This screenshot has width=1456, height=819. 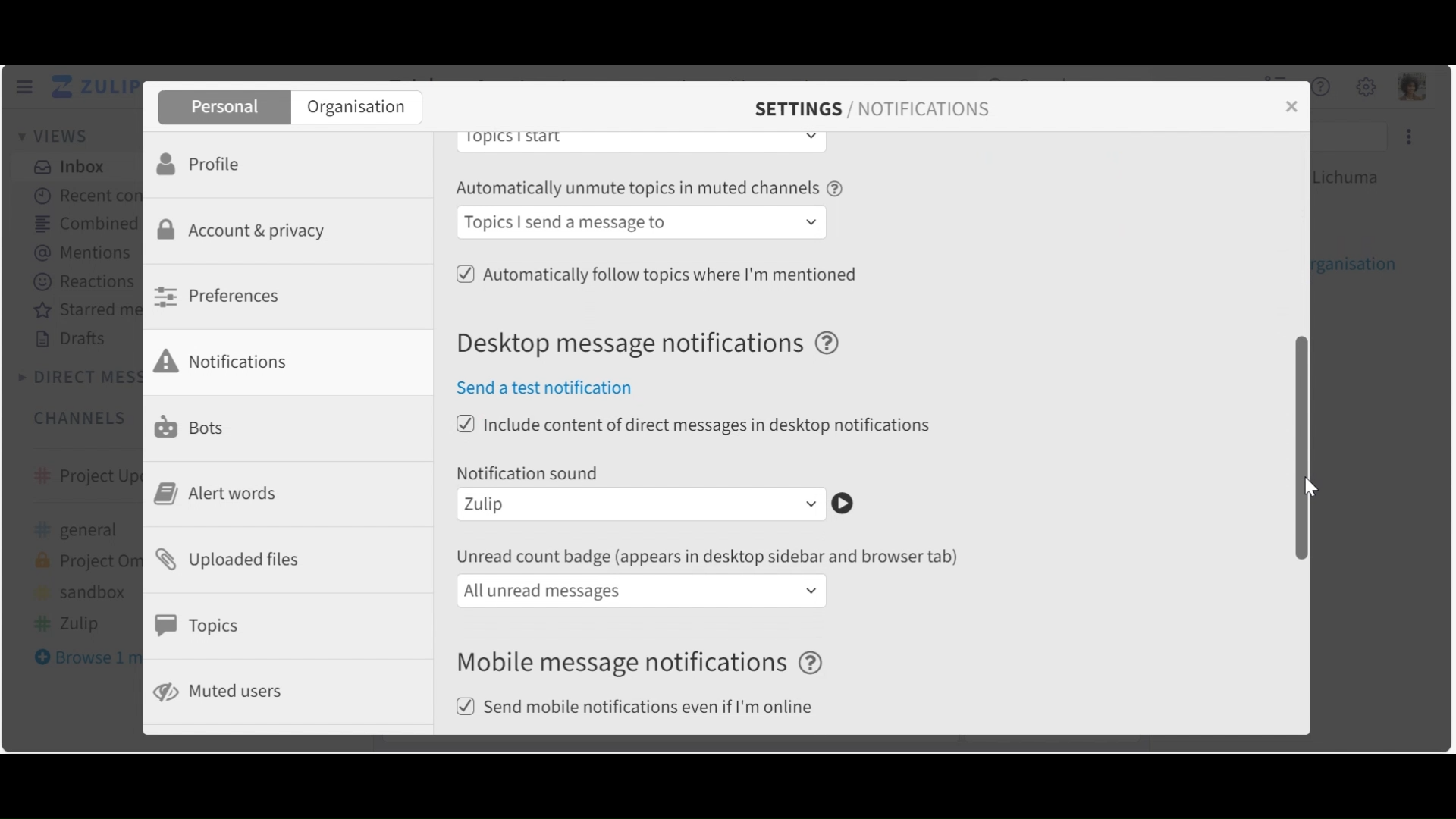 I want to click on Send mobile notifications even if I'm online, so click(x=641, y=708).